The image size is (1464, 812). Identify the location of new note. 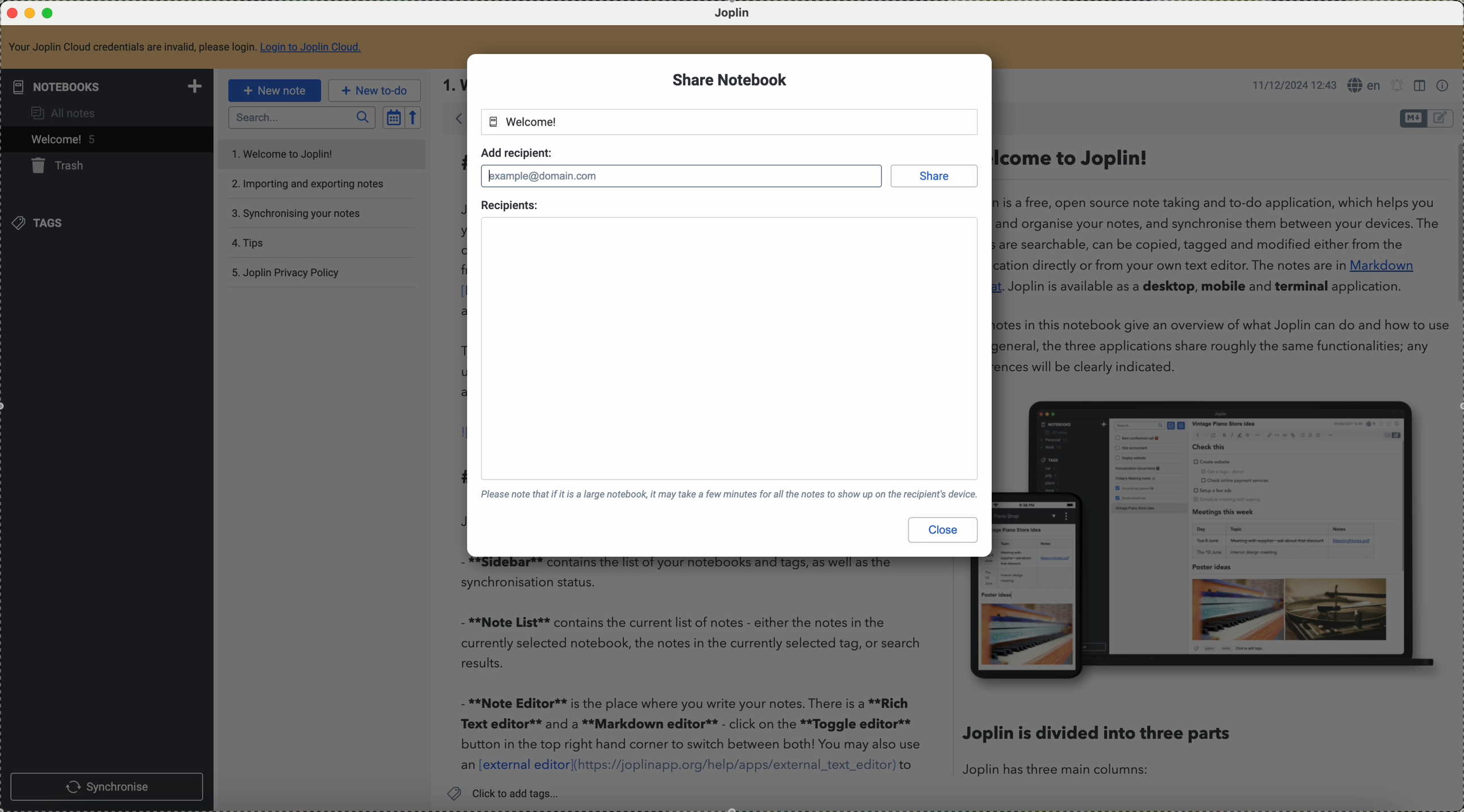
(278, 90).